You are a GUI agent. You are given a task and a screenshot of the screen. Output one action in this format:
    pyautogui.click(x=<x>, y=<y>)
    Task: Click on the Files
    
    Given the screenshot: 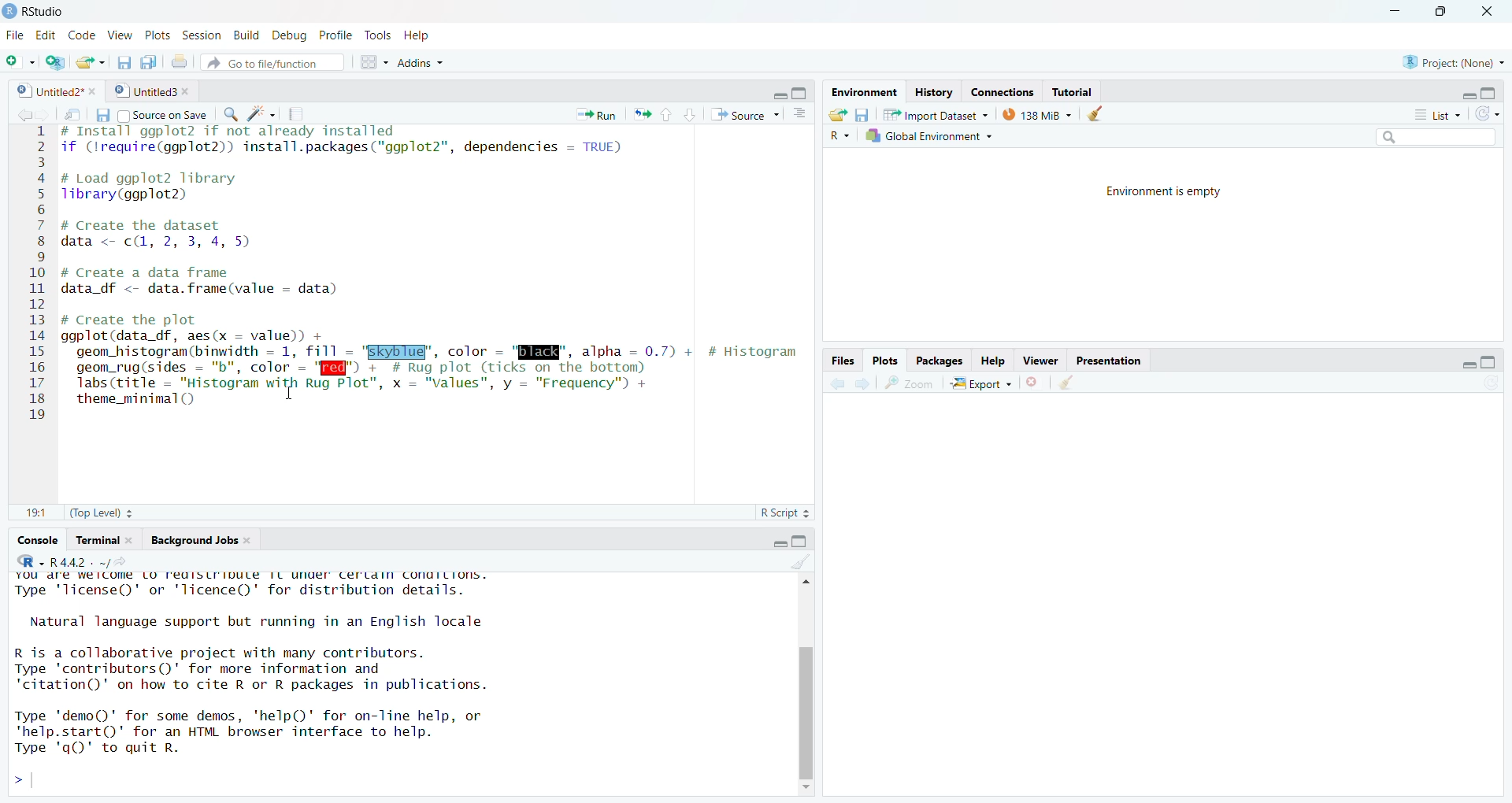 What is the action you would take?
    pyautogui.click(x=839, y=358)
    